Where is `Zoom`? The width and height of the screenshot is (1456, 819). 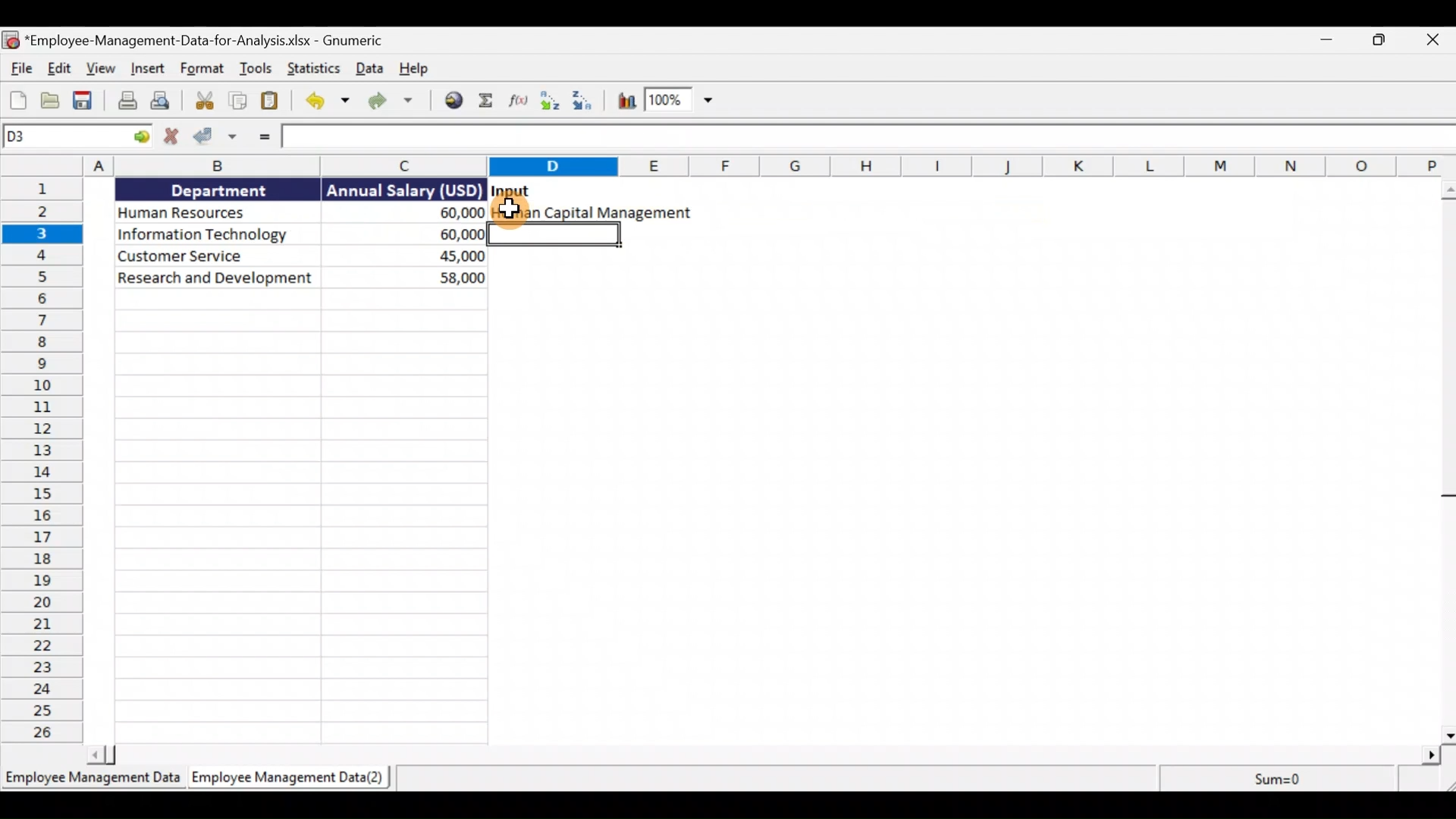 Zoom is located at coordinates (681, 102).